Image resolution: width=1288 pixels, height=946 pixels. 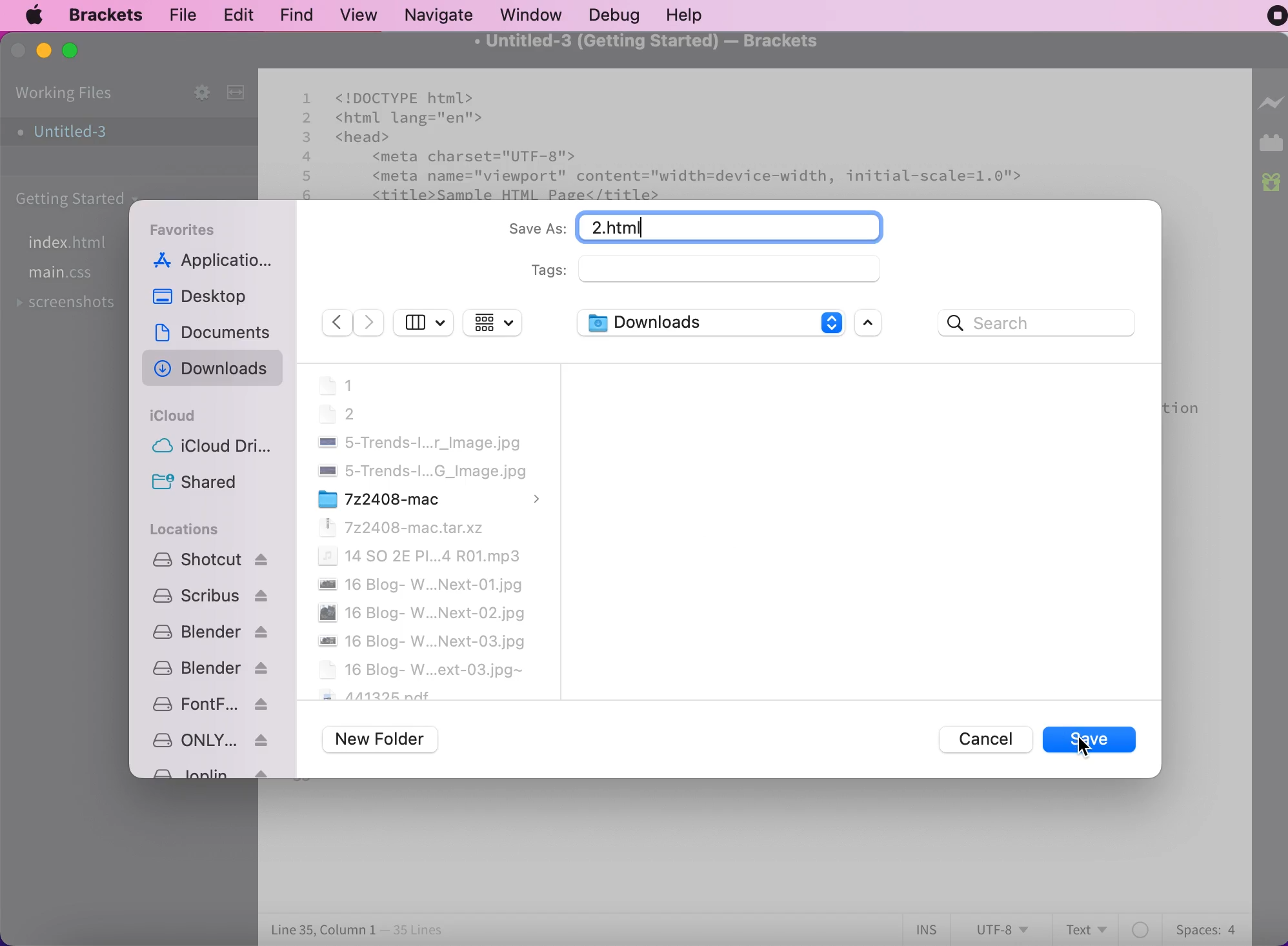 I want to click on close, so click(x=19, y=52).